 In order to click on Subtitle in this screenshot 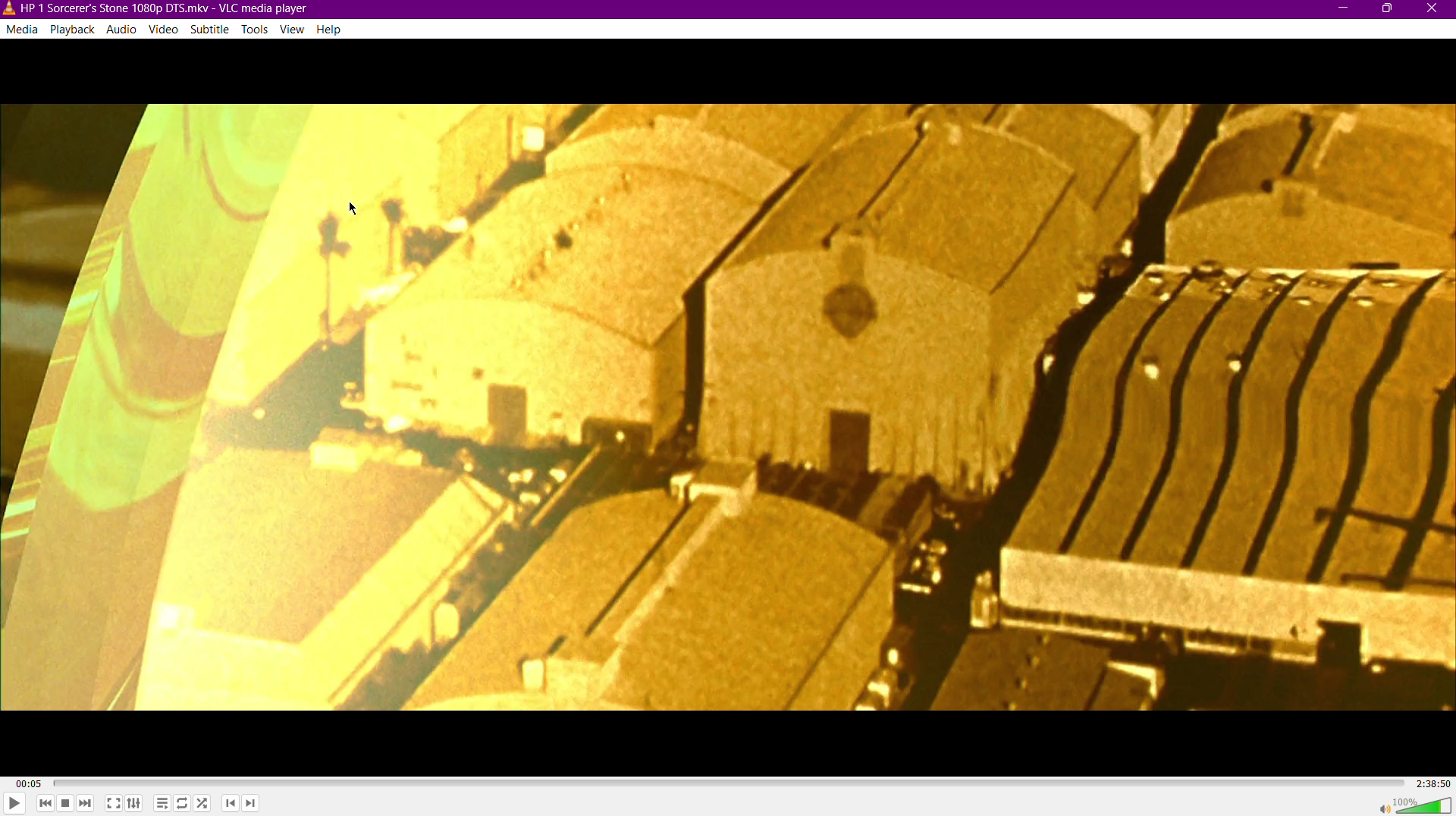, I will do `click(212, 29)`.